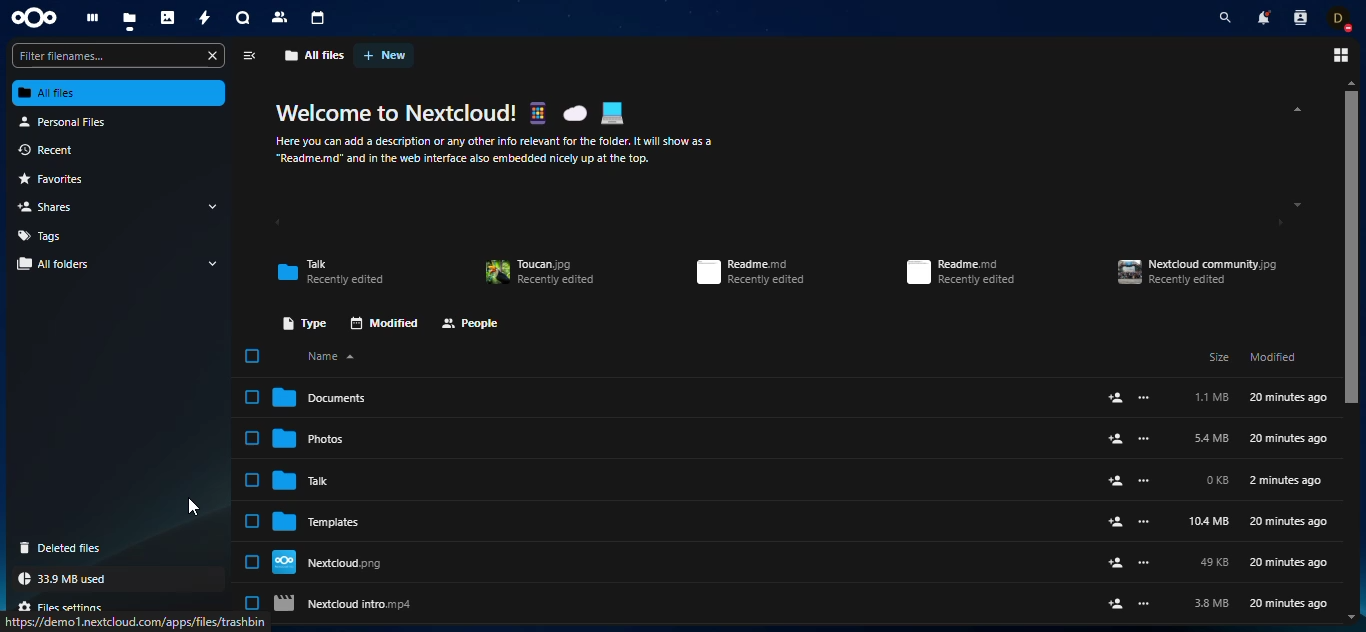 The image size is (1366, 632). I want to click on Checkbox, so click(249, 562).